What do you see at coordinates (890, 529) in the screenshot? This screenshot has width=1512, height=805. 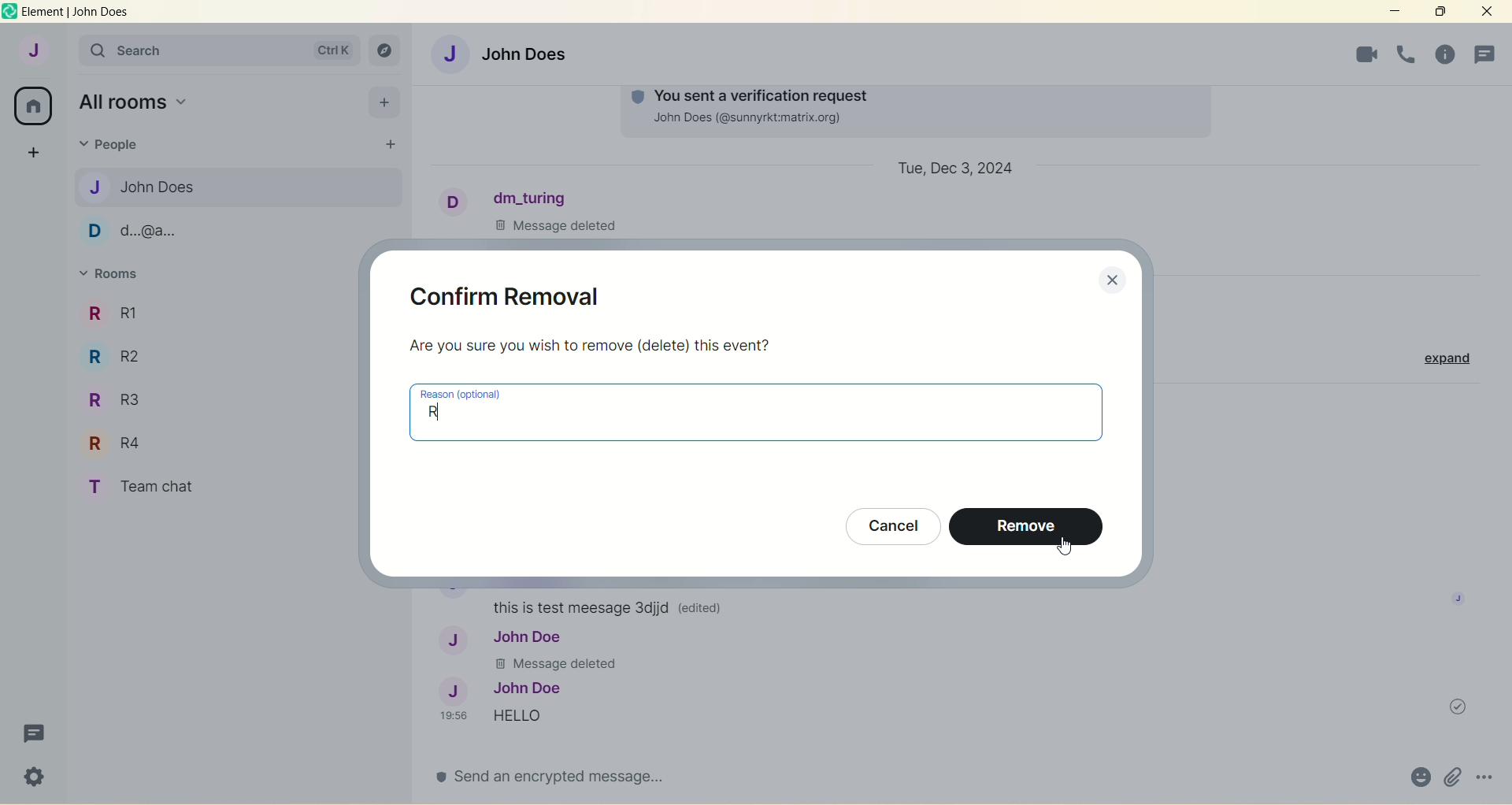 I see `cancel` at bounding box center [890, 529].